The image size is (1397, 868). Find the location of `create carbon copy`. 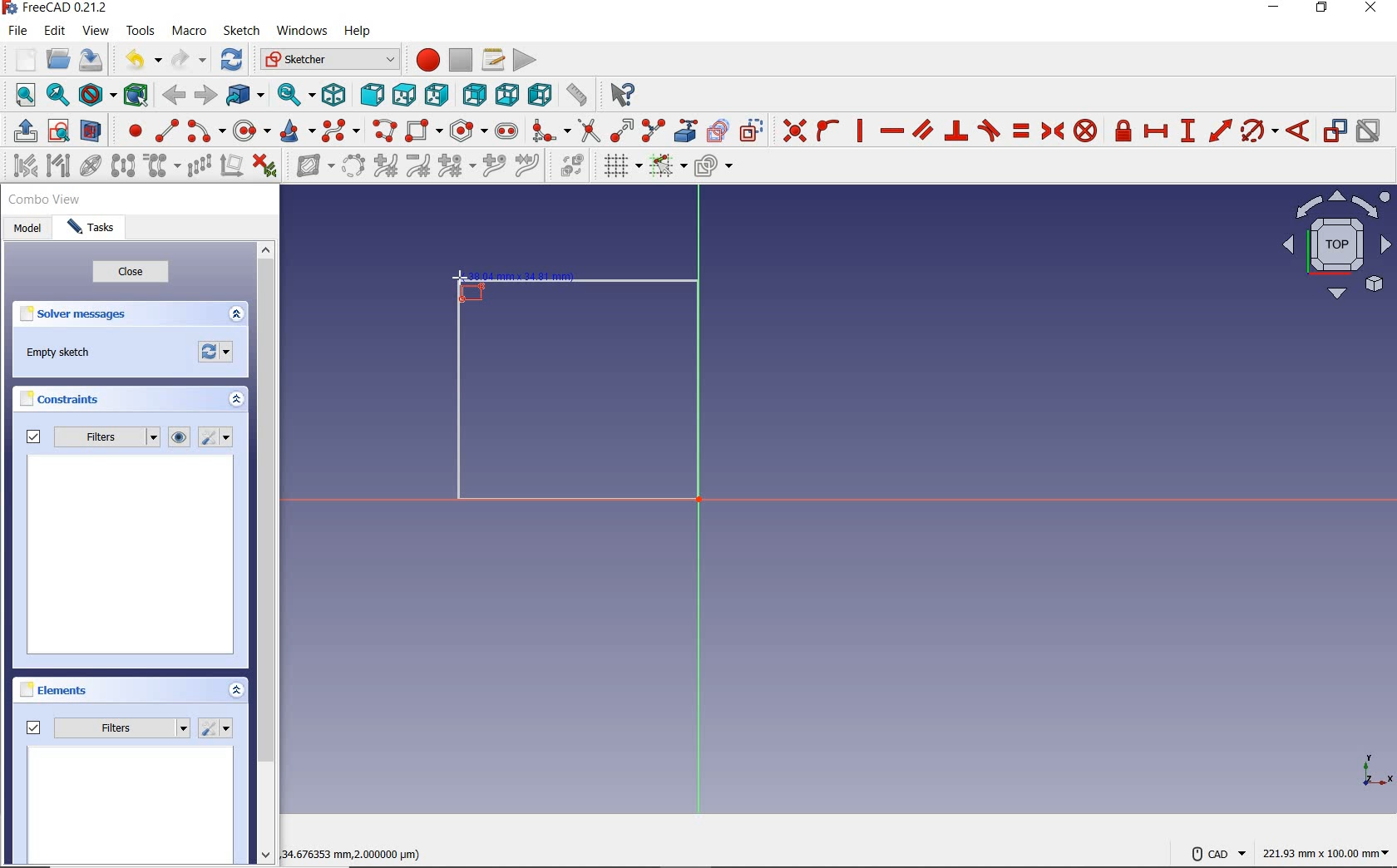

create carbon copy is located at coordinates (718, 131).